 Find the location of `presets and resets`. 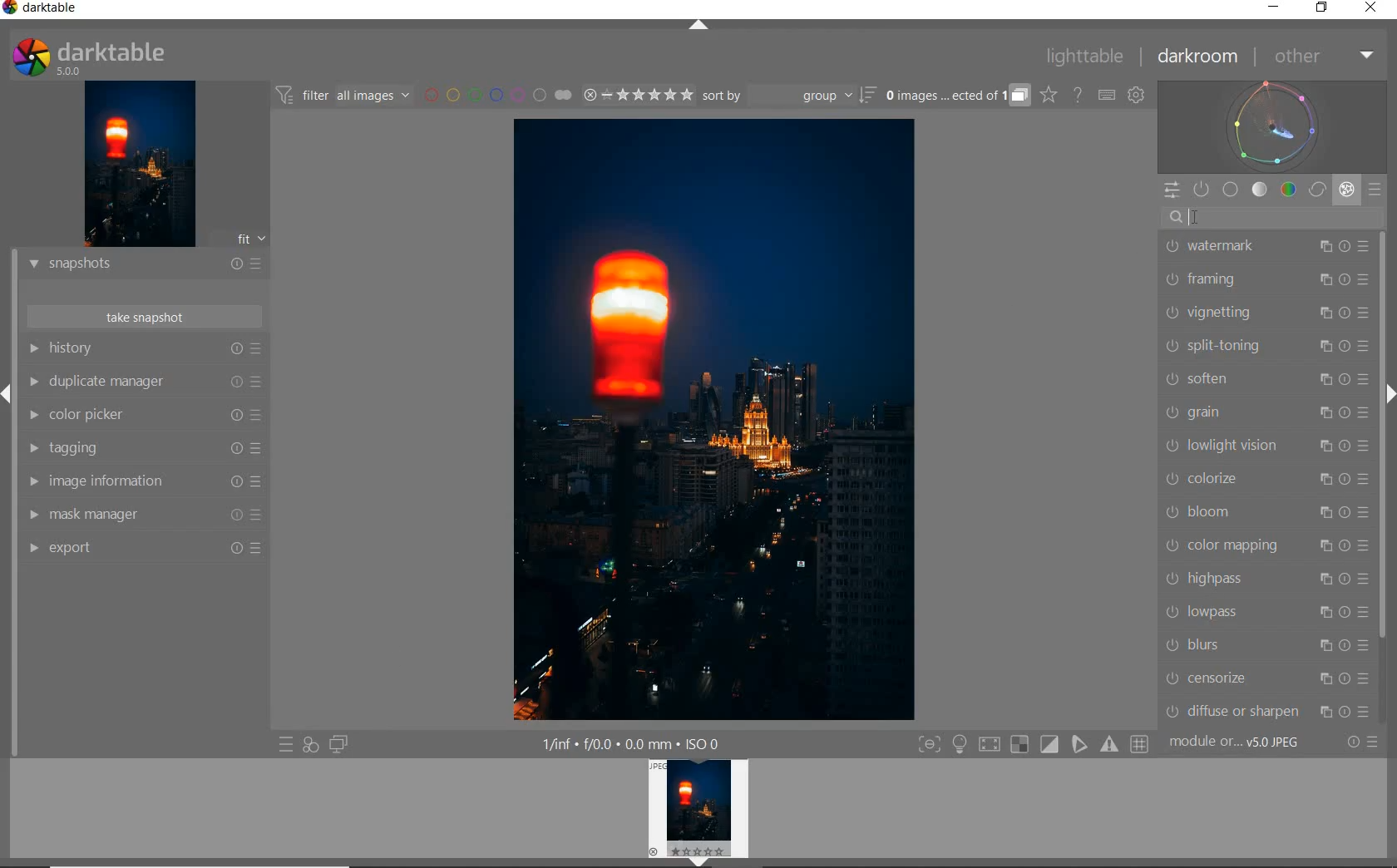

presets and resets is located at coordinates (259, 348).